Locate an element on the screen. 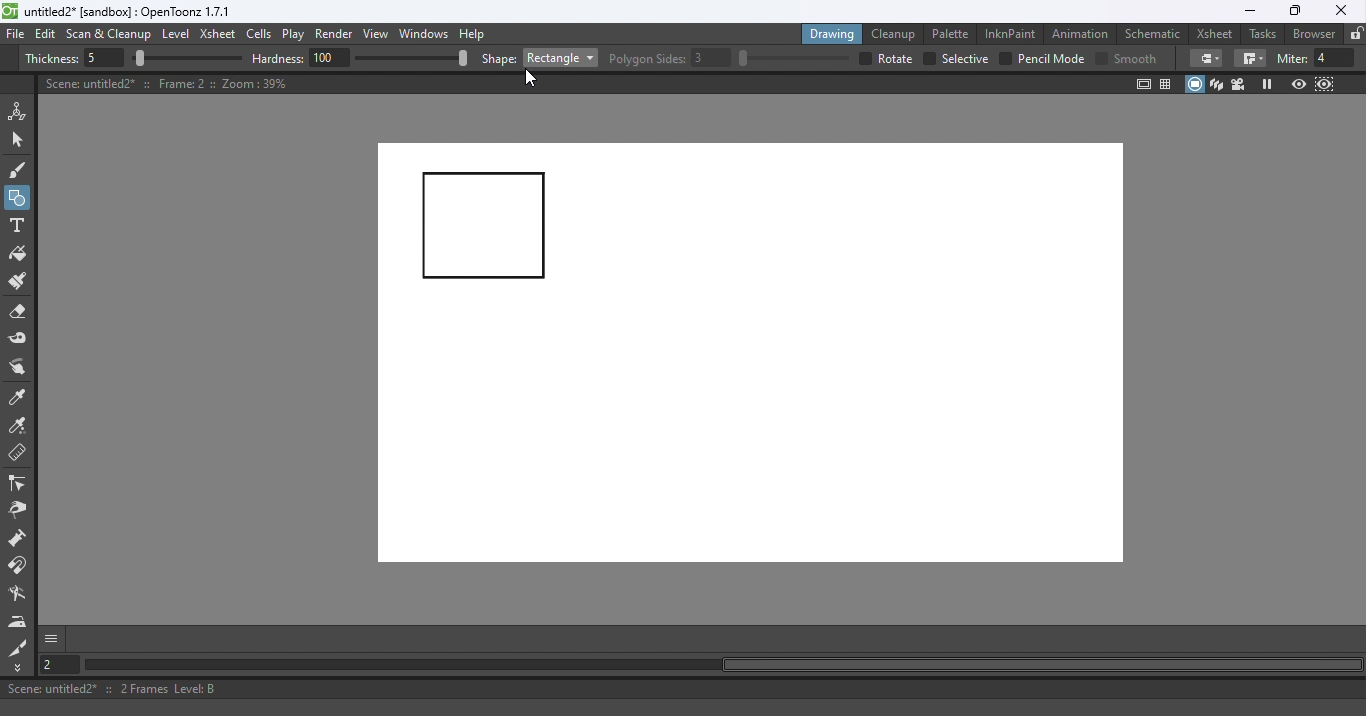 This screenshot has height=716, width=1366. slider is located at coordinates (793, 58).